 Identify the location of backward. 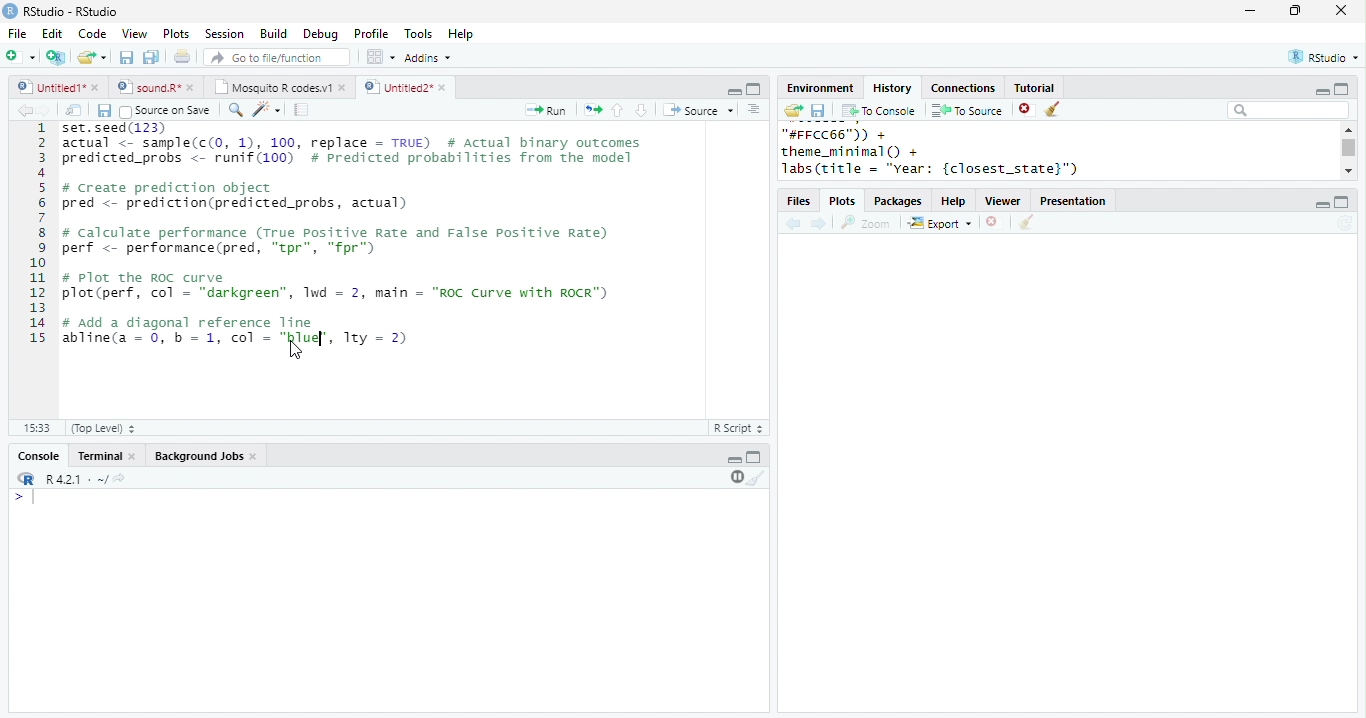
(24, 110).